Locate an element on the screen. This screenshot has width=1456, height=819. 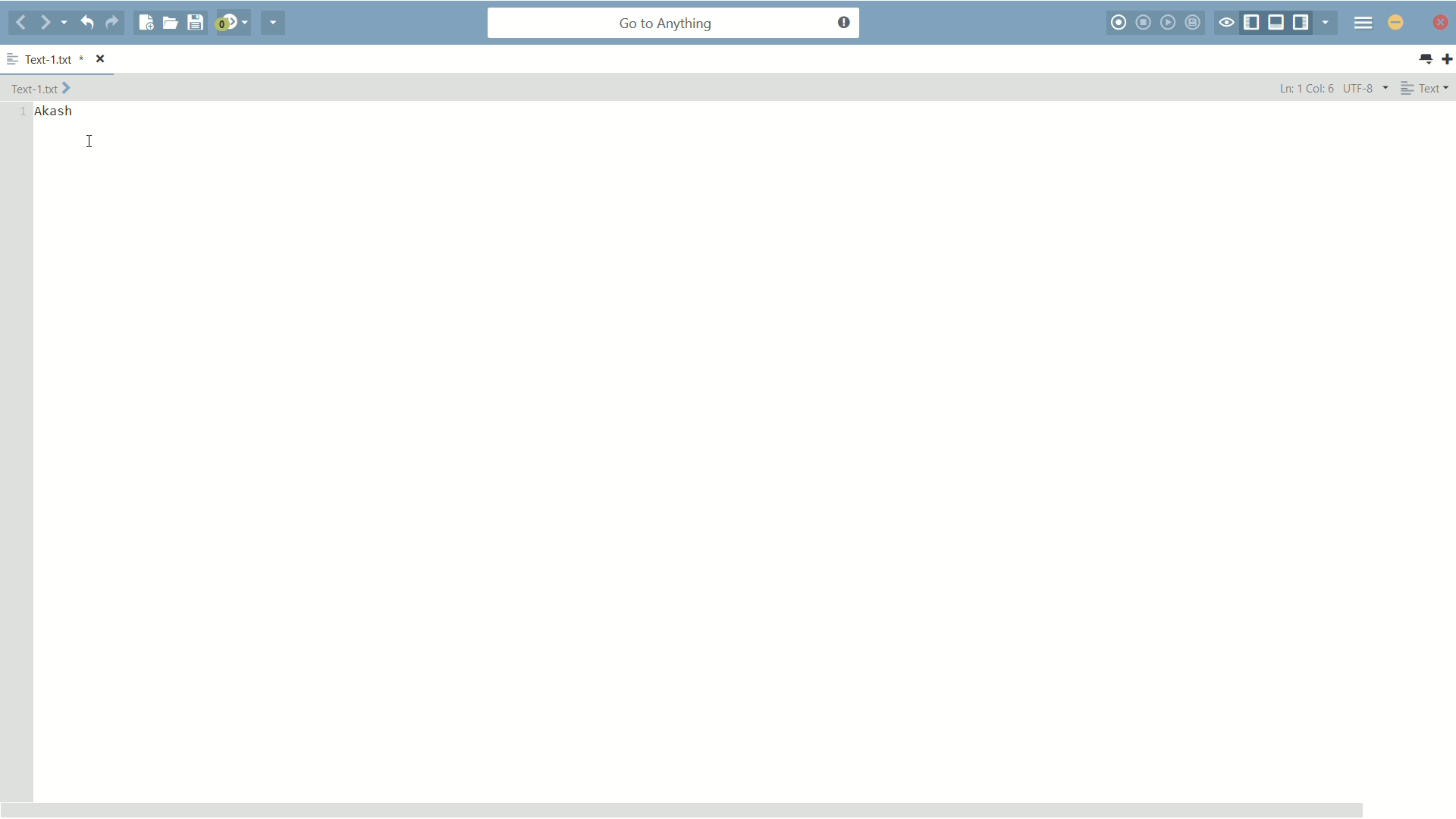
back is located at coordinates (20, 24).